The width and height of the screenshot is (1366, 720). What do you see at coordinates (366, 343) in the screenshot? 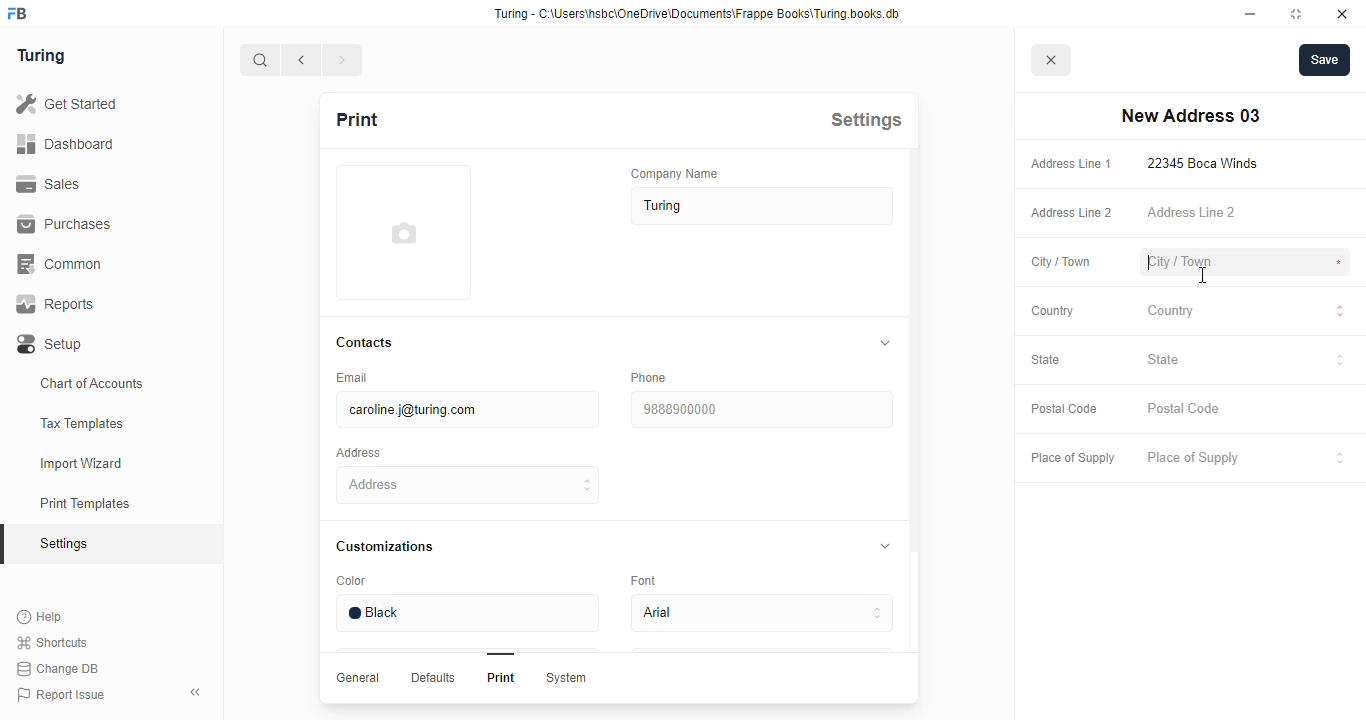
I see `contacts` at bounding box center [366, 343].